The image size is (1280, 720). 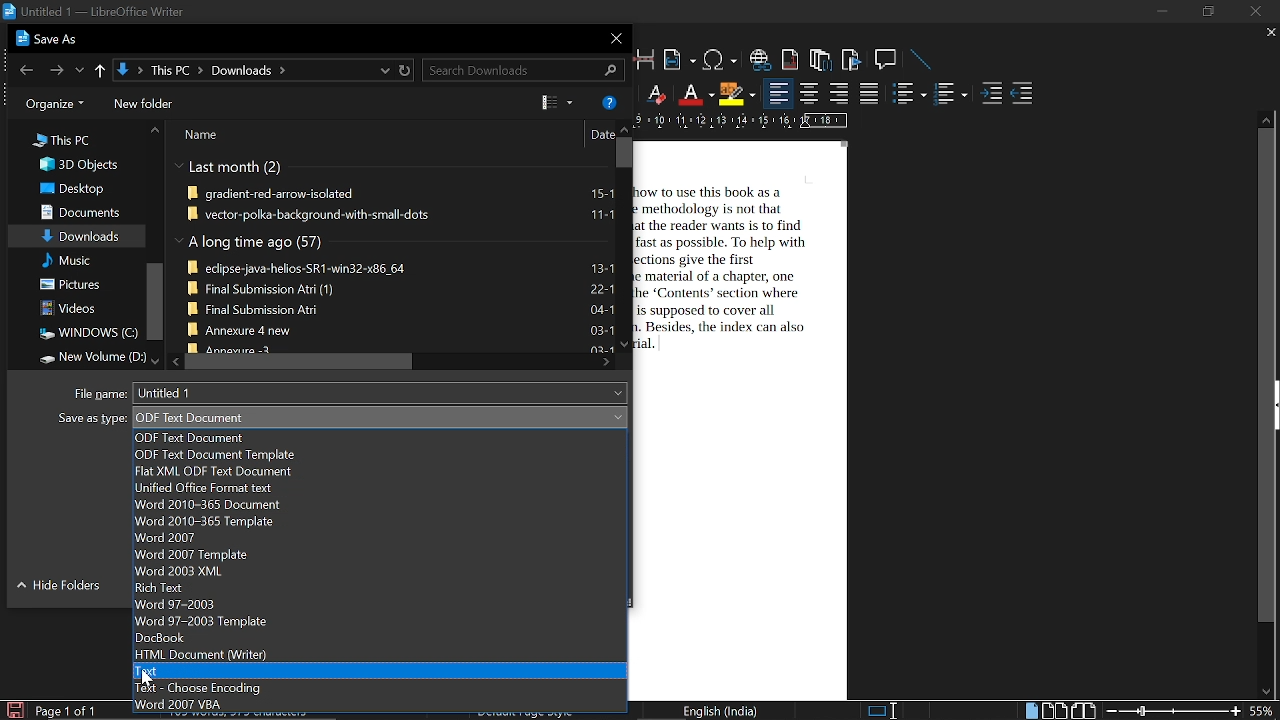 I want to click on gradient-red-arrow-isolated 15-1, so click(x=402, y=195).